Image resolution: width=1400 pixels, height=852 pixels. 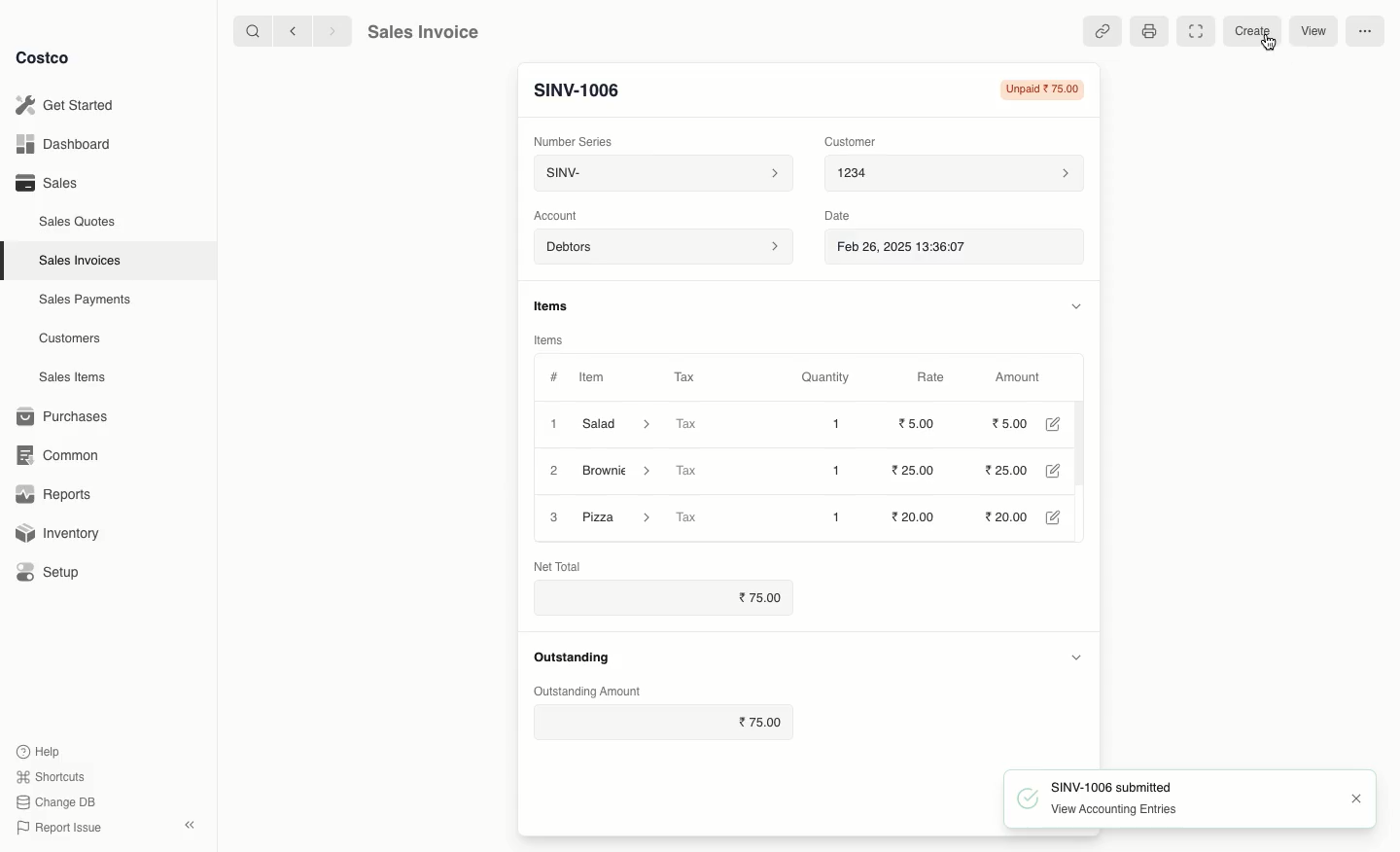 What do you see at coordinates (1013, 89) in the screenshot?
I see `Unpaid 75.00` at bounding box center [1013, 89].